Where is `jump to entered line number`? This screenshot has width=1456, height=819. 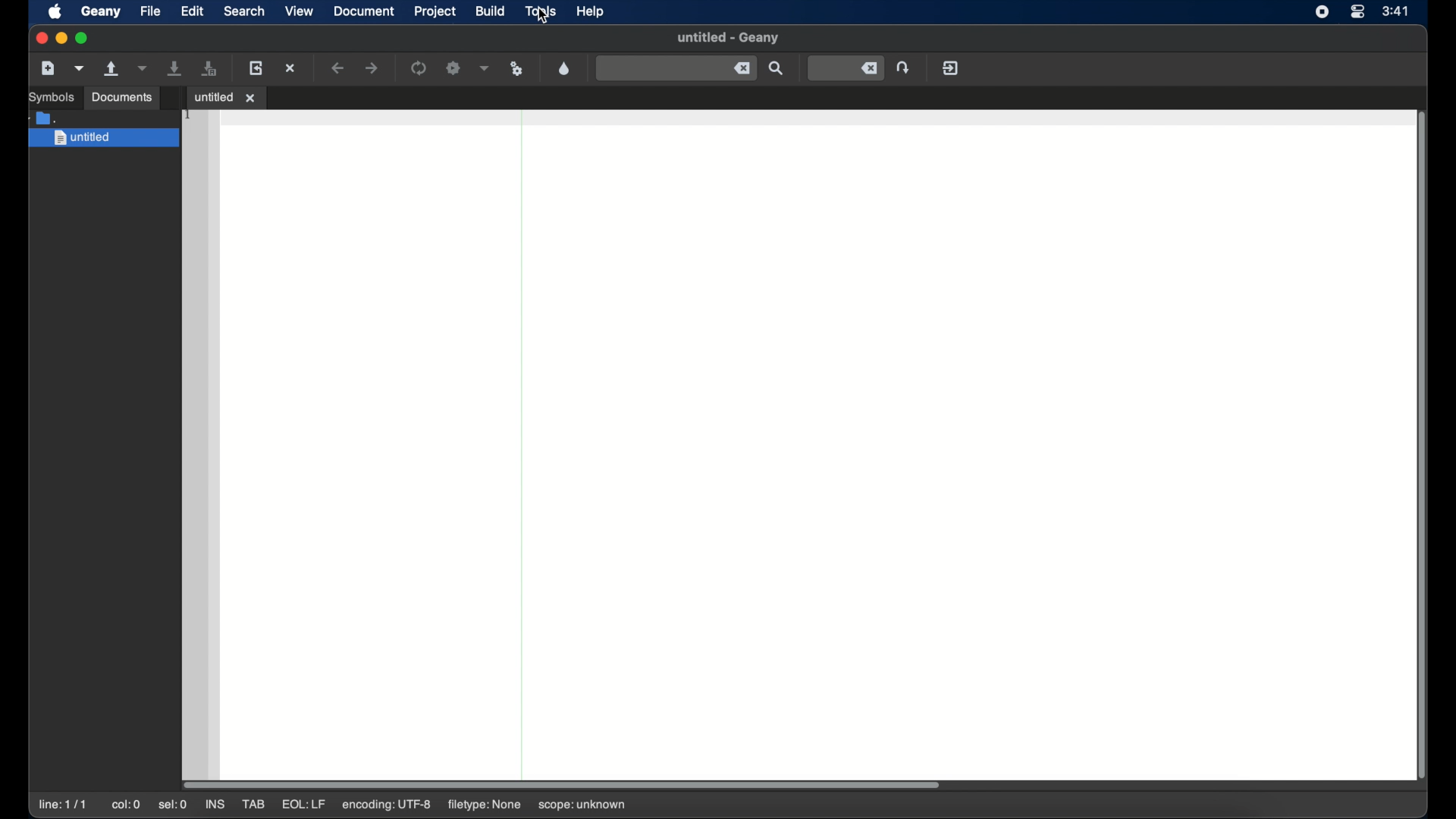 jump to entered line number is located at coordinates (846, 69).